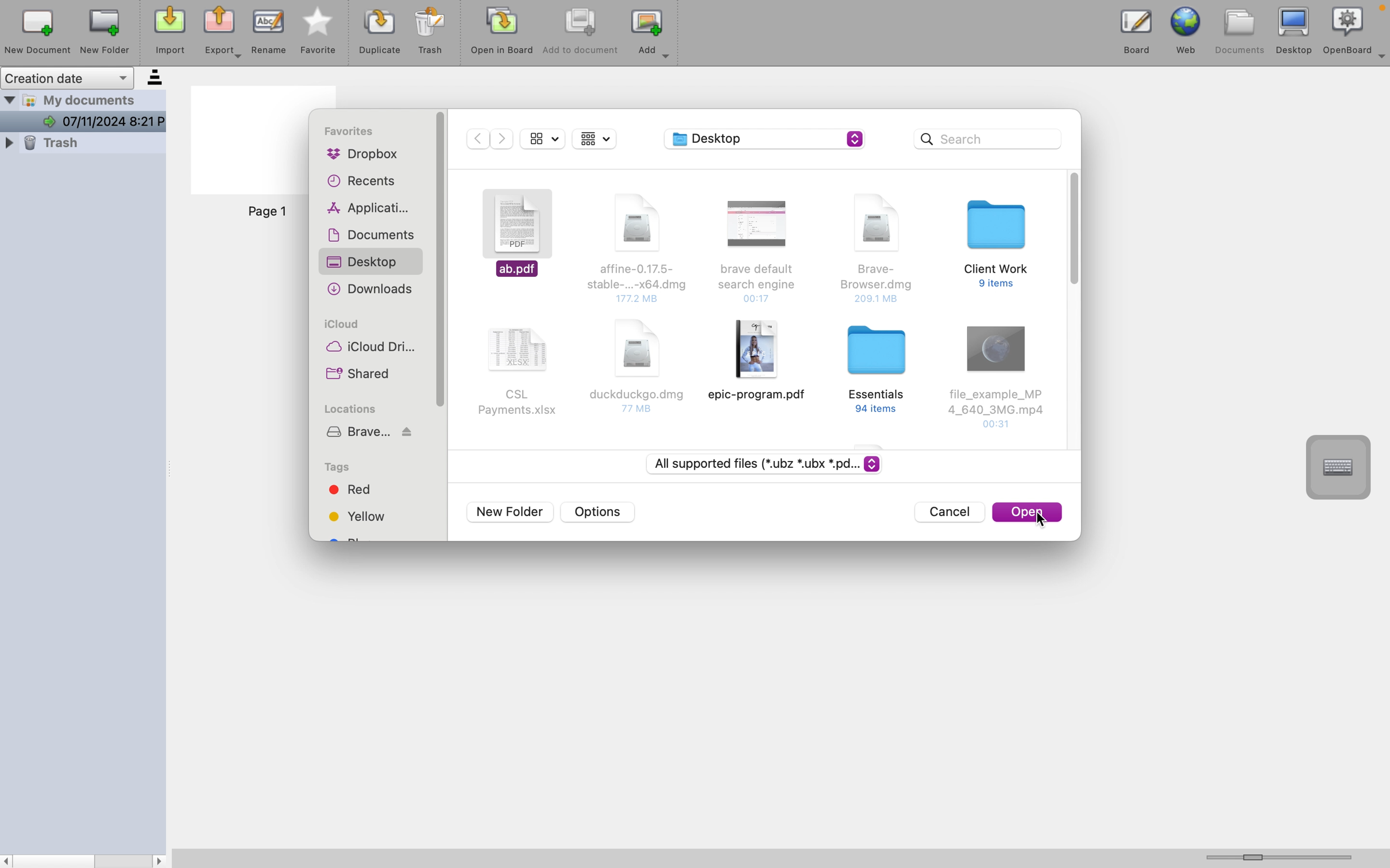 Image resolution: width=1390 pixels, height=868 pixels. Describe the element at coordinates (1340, 467) in the screenshot. I see `virtual keyboard` at that location.